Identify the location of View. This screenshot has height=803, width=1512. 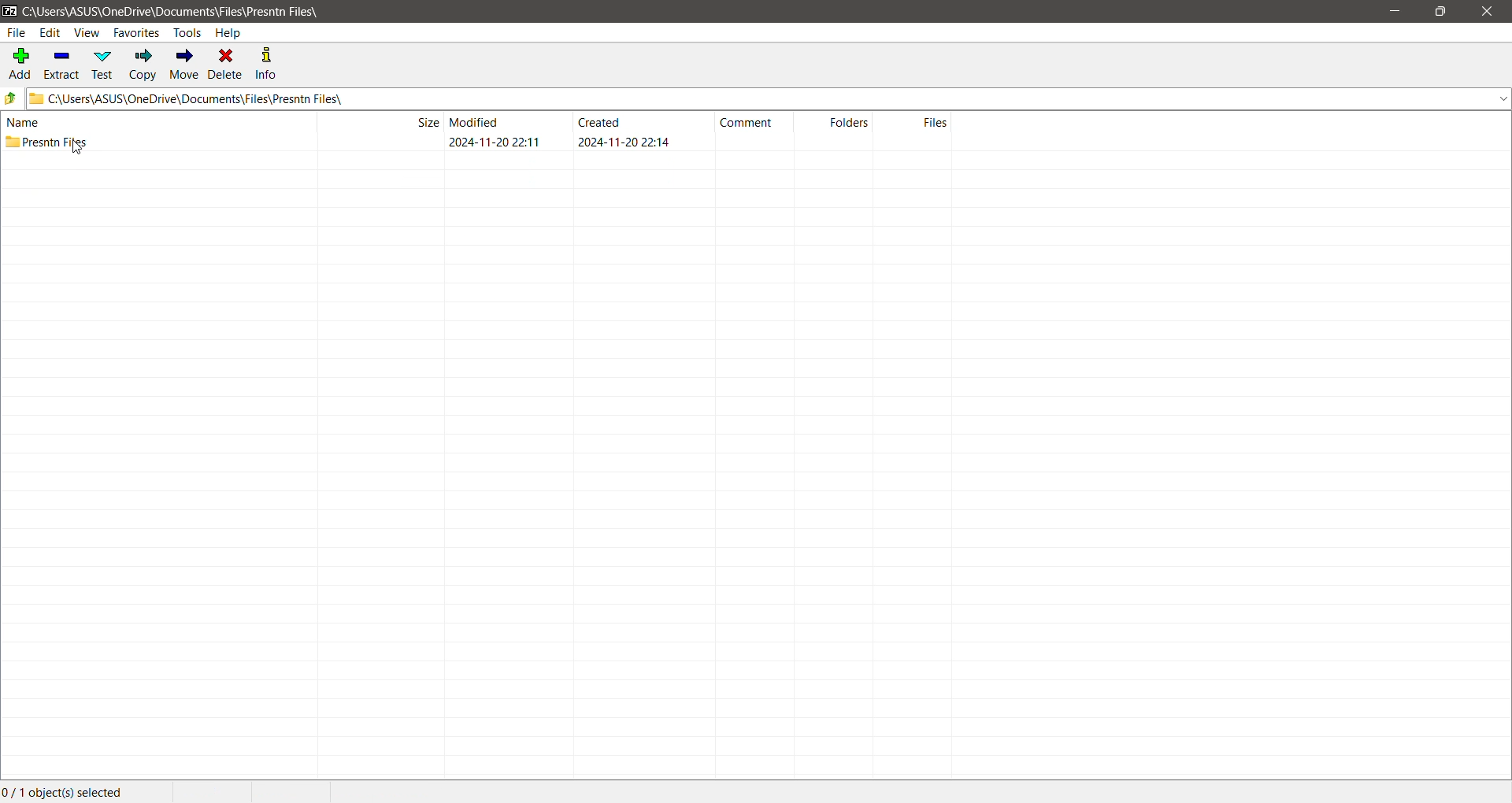
(87, 32).